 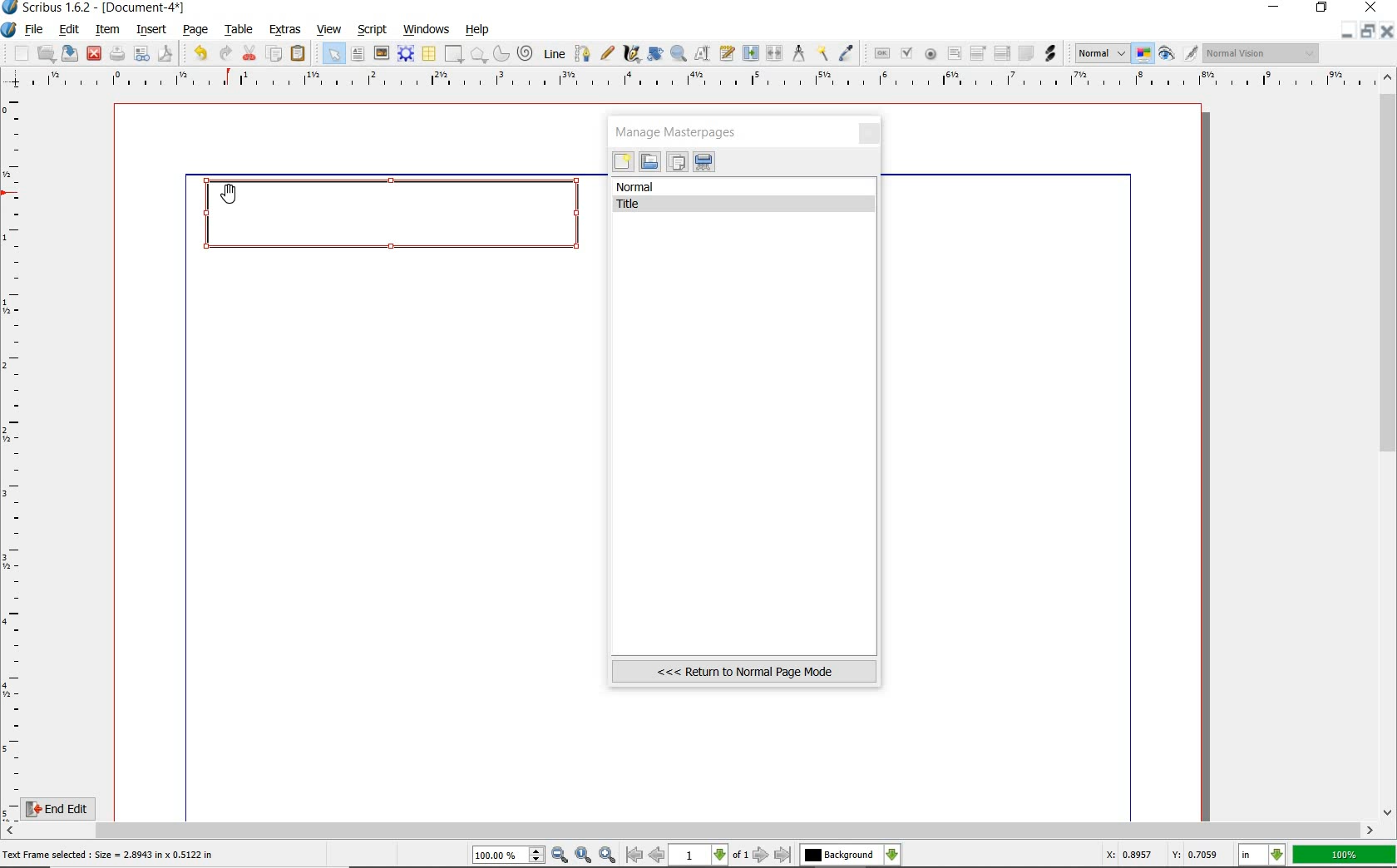 I want to click on polygon, so click(x=478, y=56).